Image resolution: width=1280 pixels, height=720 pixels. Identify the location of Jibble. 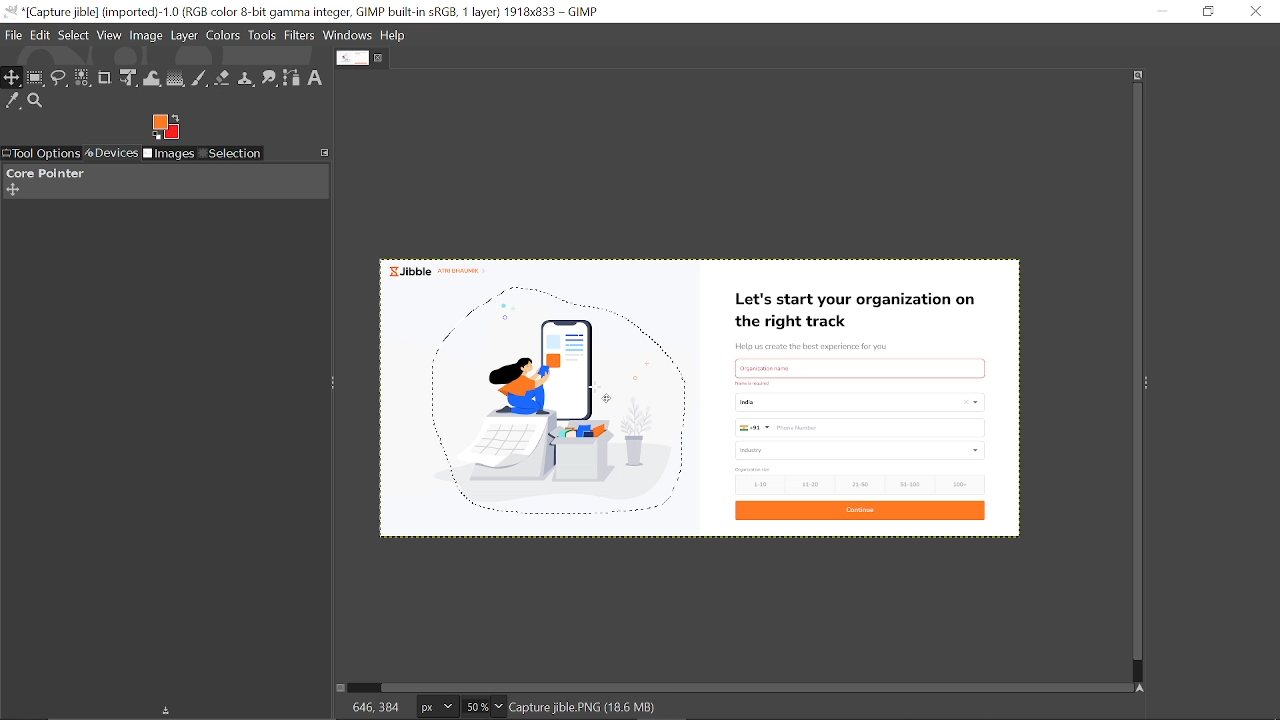
(436, 269).